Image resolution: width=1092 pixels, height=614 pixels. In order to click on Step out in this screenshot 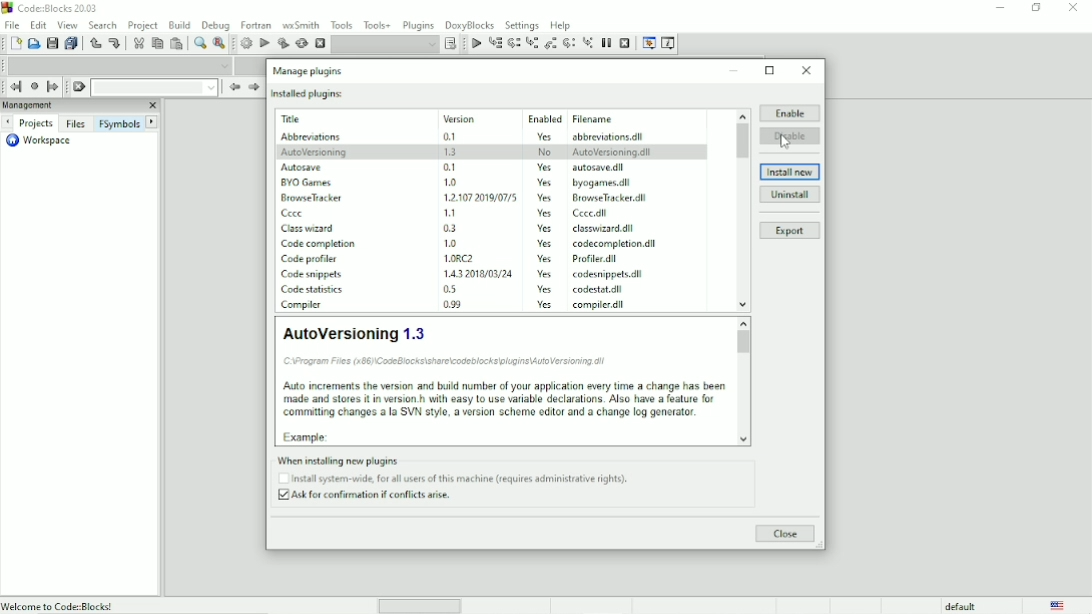, I will do `click(551, 44)`.